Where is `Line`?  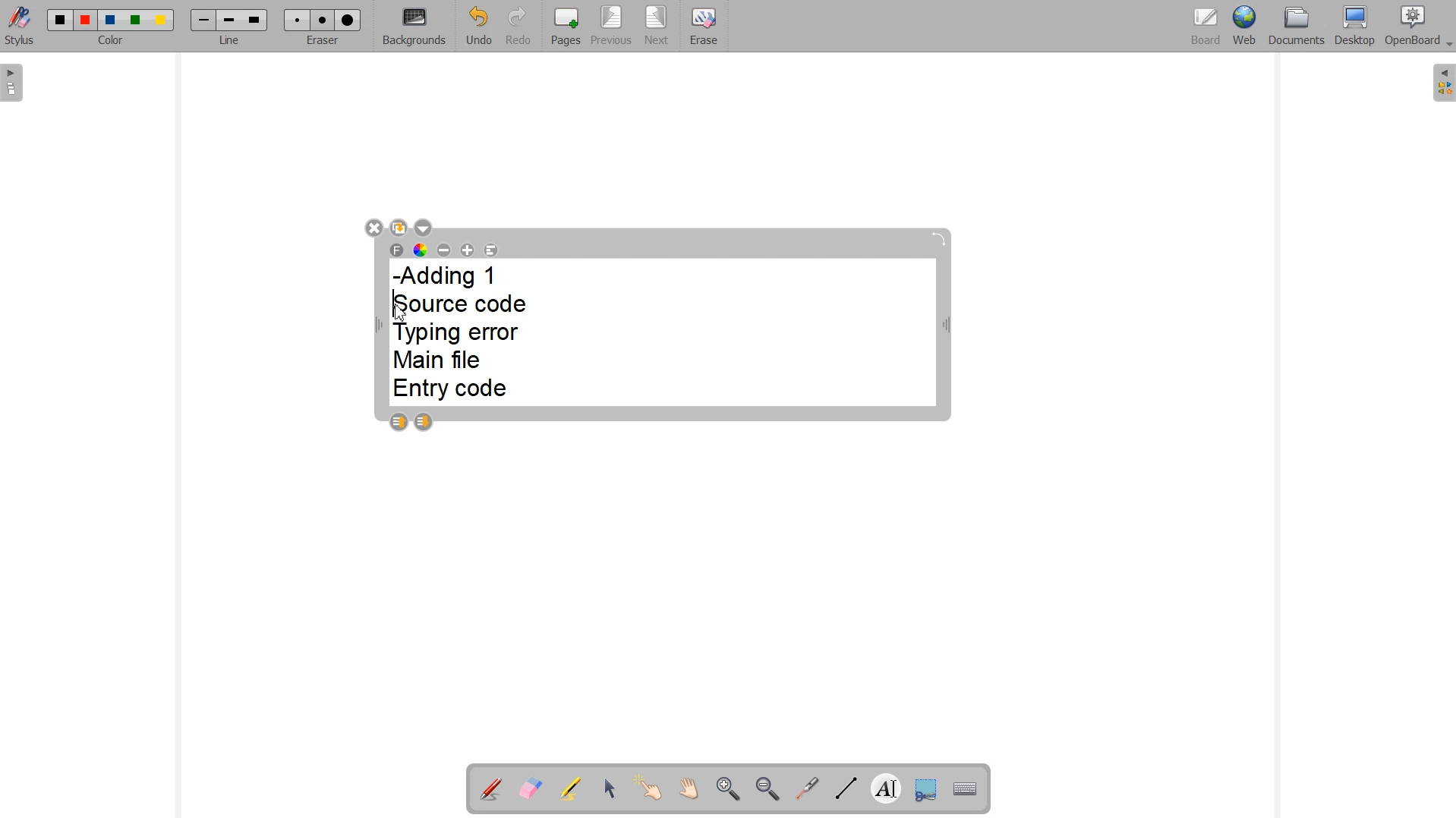 Line is located at coordinates (230, 41).